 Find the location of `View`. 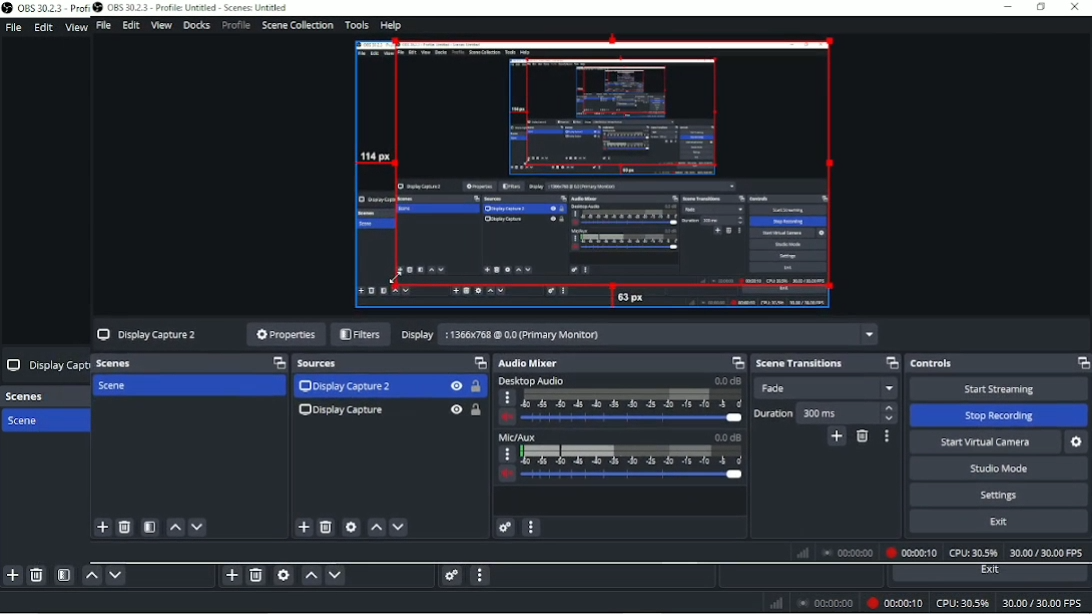

View is located at coordinates (75, 26).